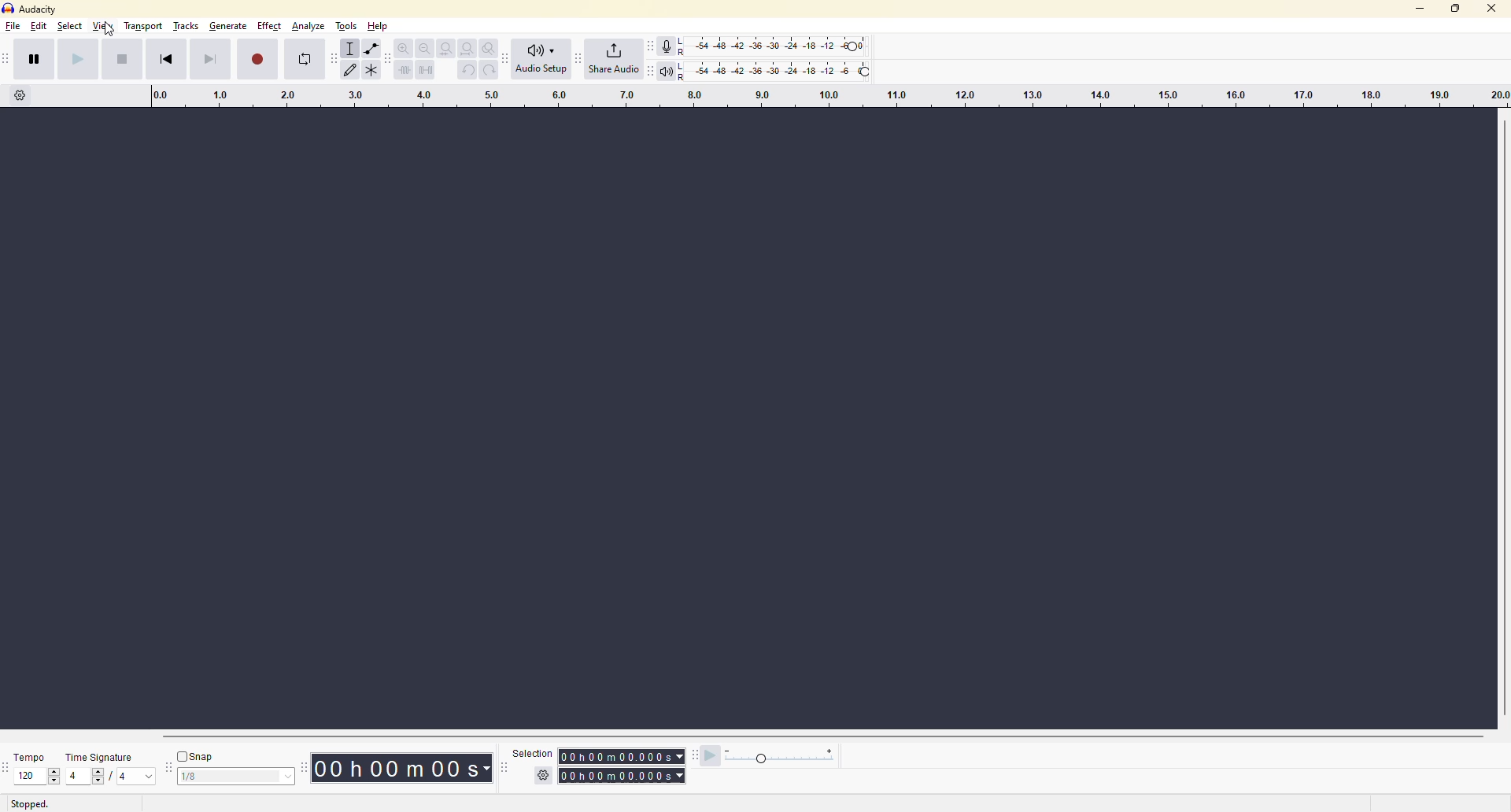 This screenshot has width=1511, height=812. I want to click on close, so click(1489, 12).